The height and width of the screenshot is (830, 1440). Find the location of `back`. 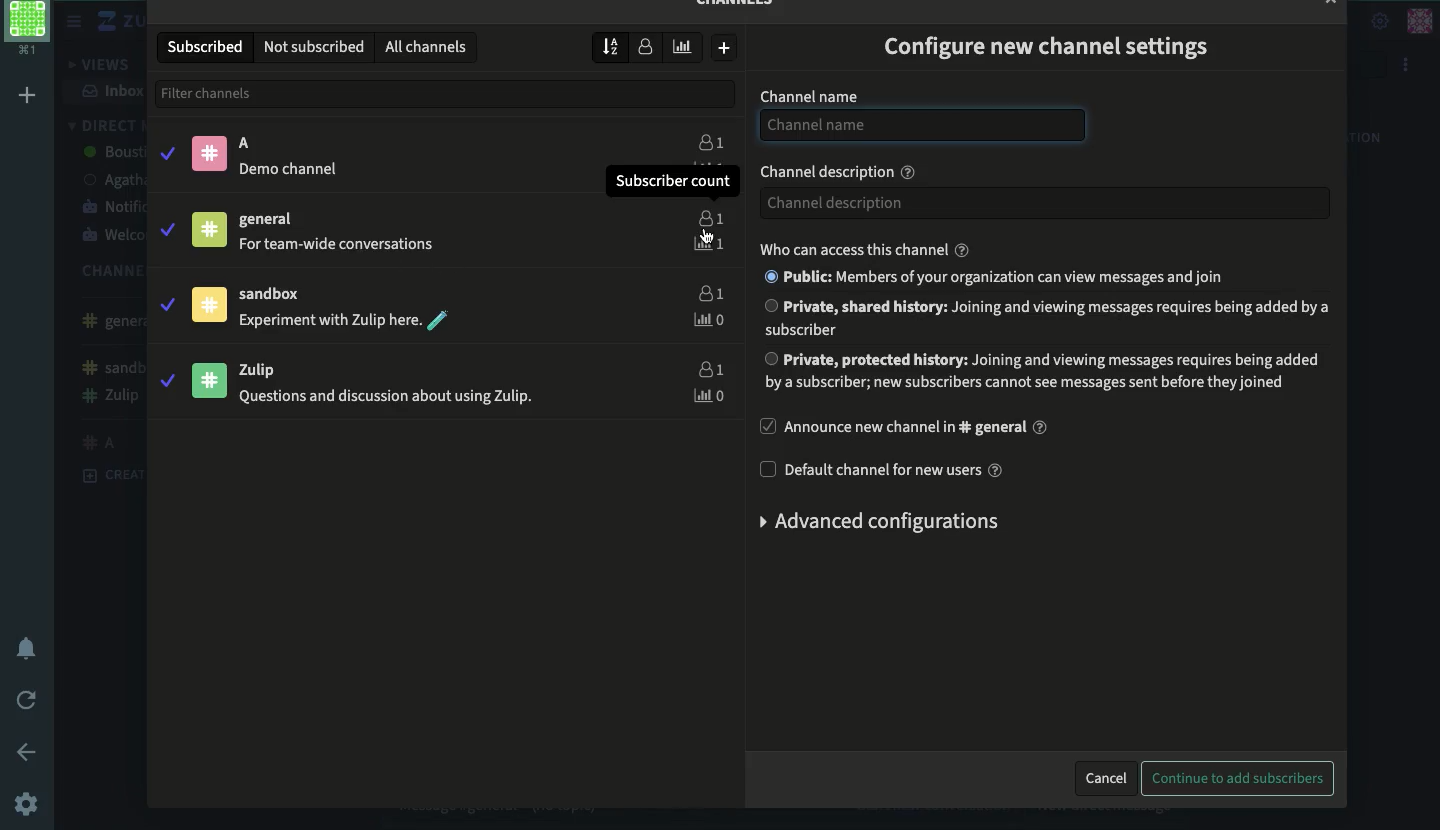

back is located at coordinates (31, 751).